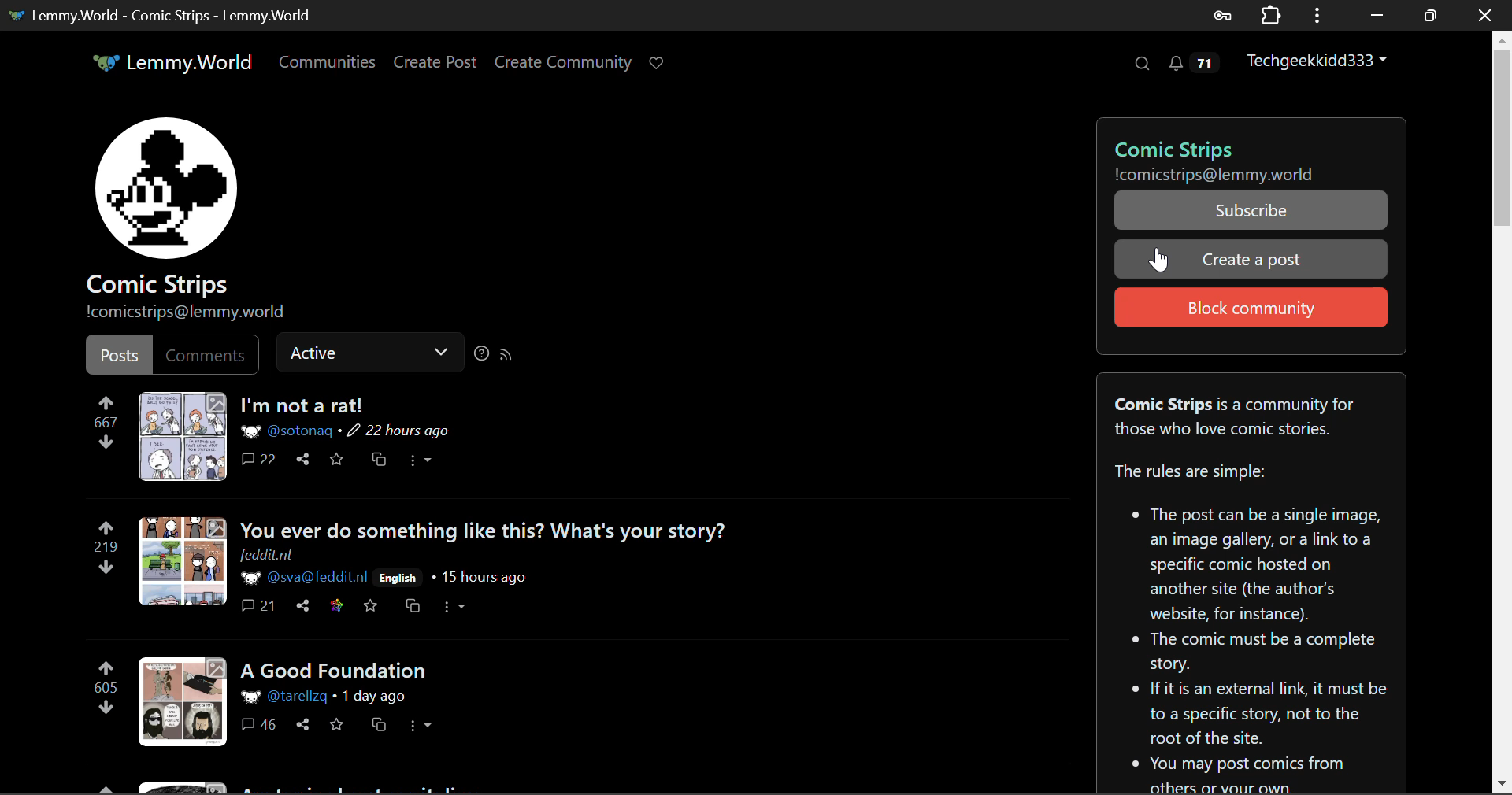 This screenshot has height=795, width=1512. I want to click on You ever do something like this? What's your story?, so click(485, 529).